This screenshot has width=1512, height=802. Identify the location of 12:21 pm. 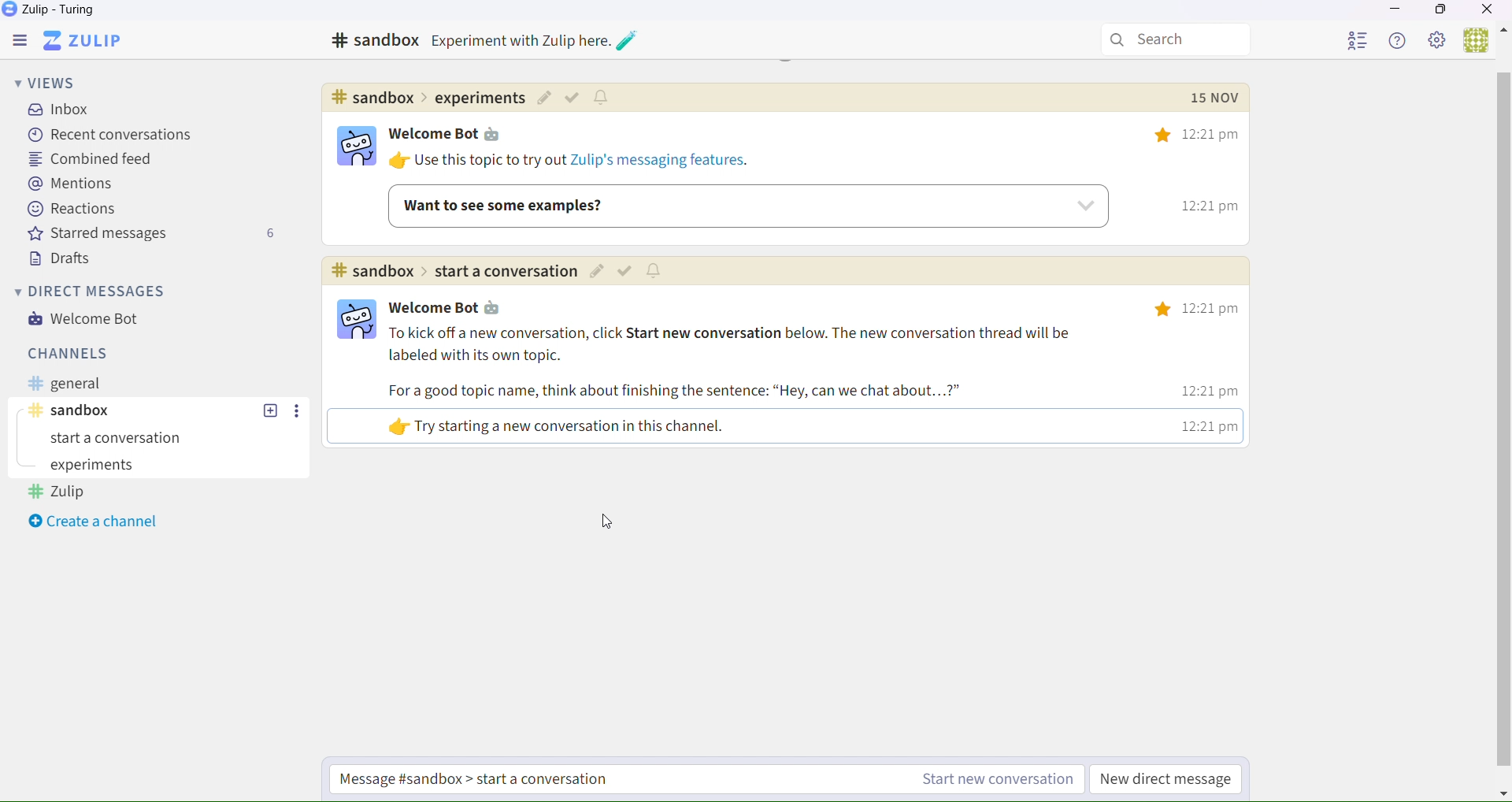
(1199, 209).